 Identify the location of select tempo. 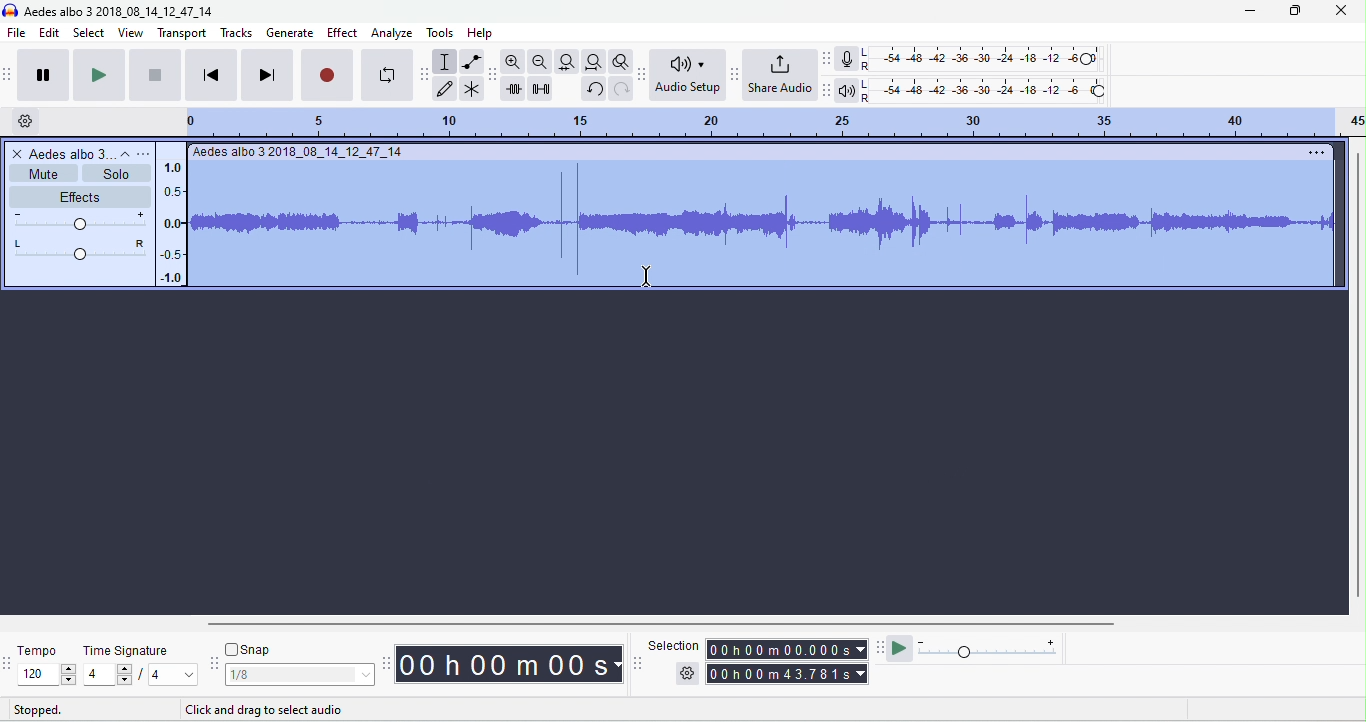
(46, 675).